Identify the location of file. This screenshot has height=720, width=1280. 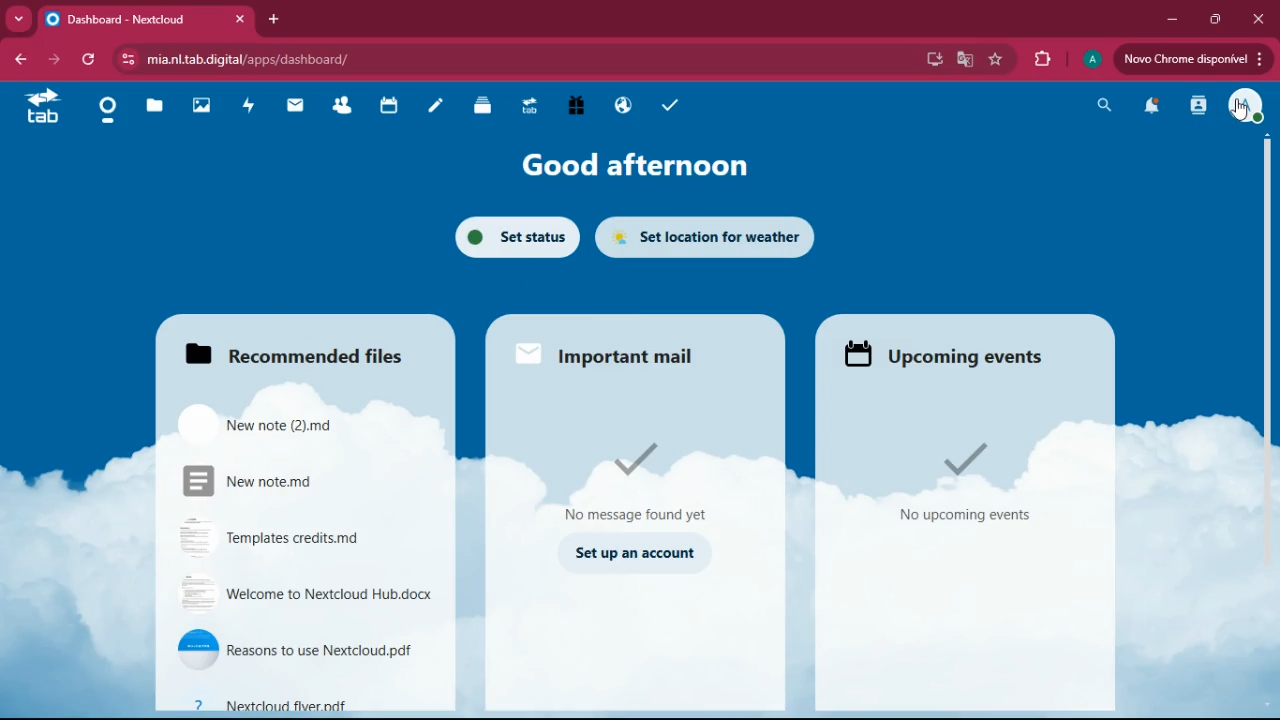
(300, 702).